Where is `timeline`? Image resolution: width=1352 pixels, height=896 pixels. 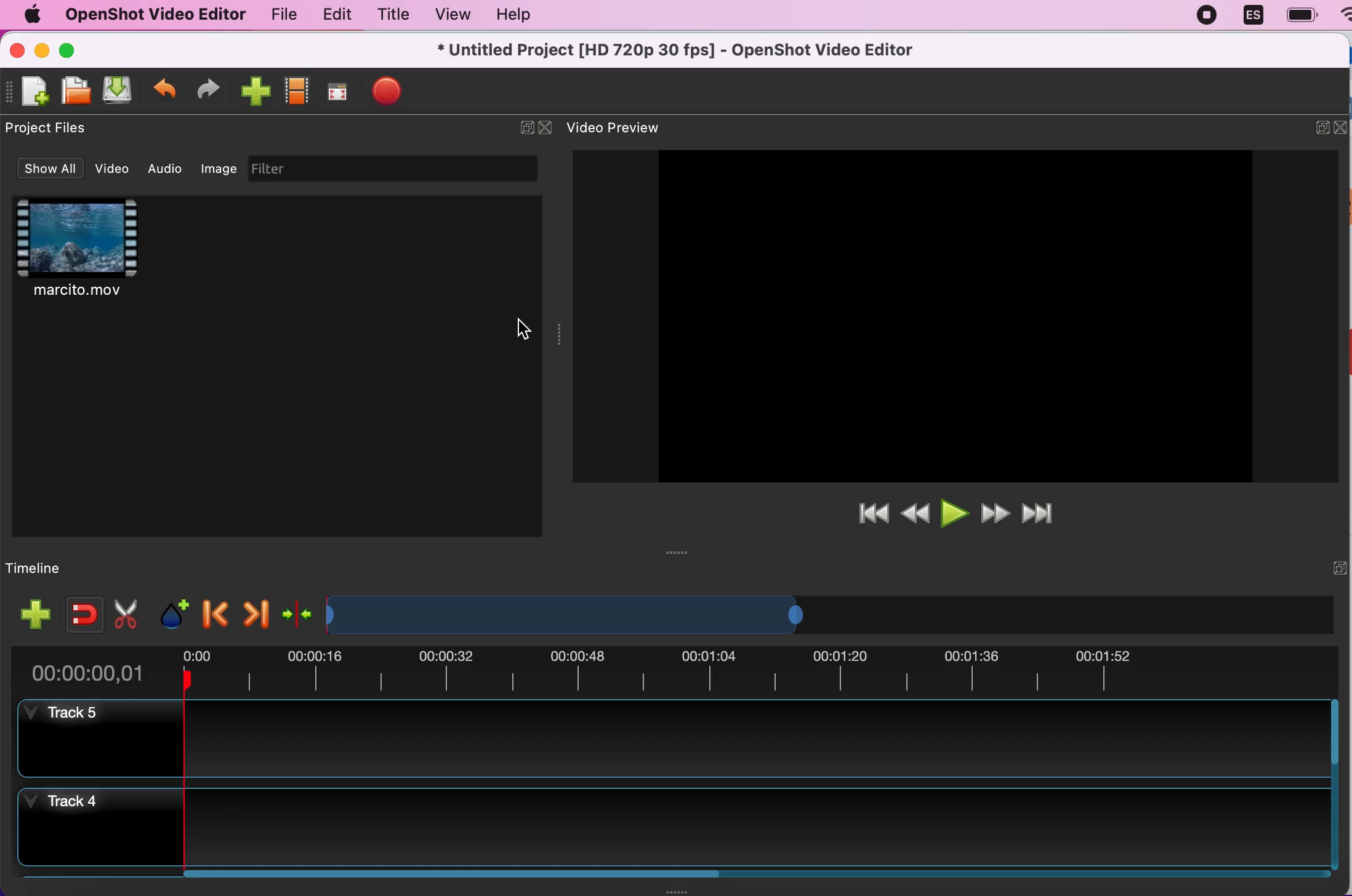 timeline is located at coordinates (46, 569).